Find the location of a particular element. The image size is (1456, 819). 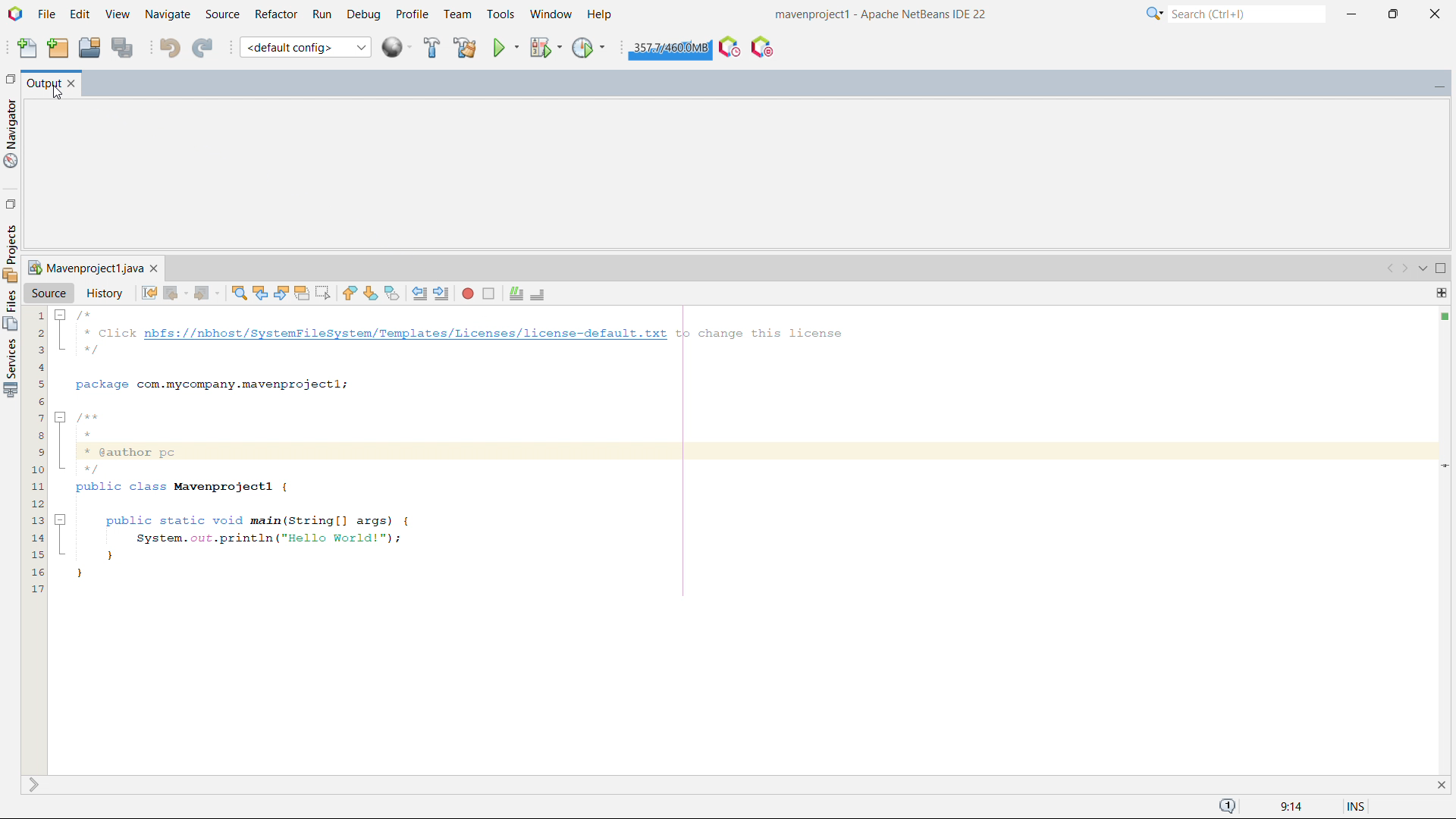

shift line right is located at coordinates (443, 293).